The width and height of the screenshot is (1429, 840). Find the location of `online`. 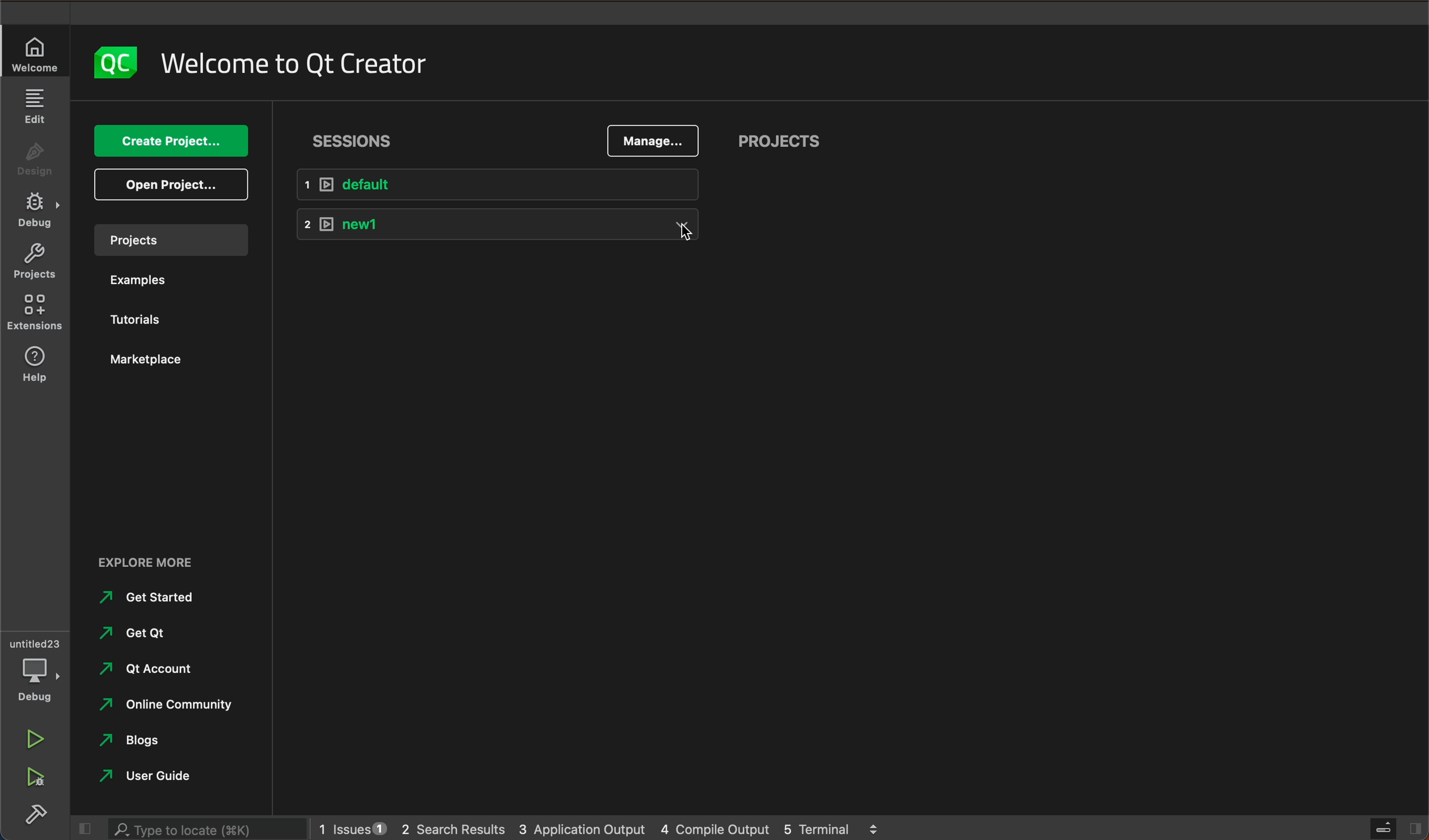

online is located at coordinates (172, 703).